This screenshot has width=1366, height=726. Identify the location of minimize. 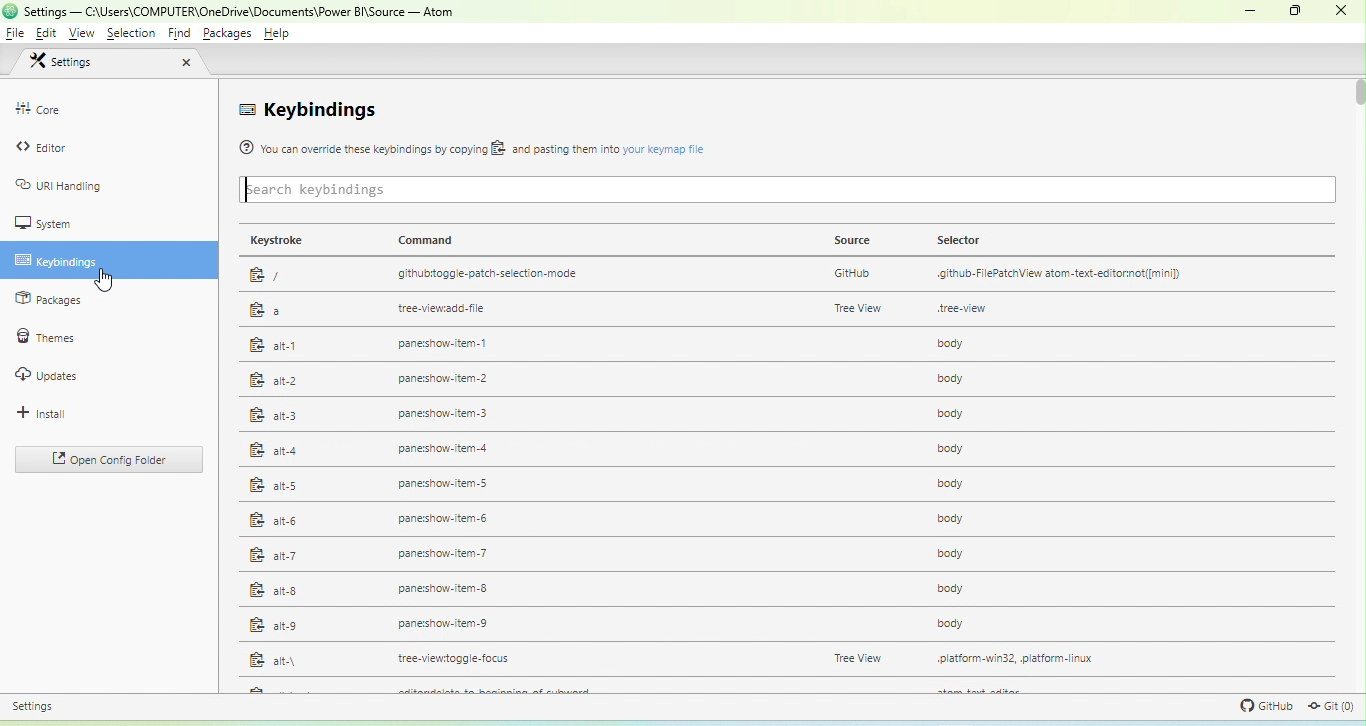
(1251, 11).